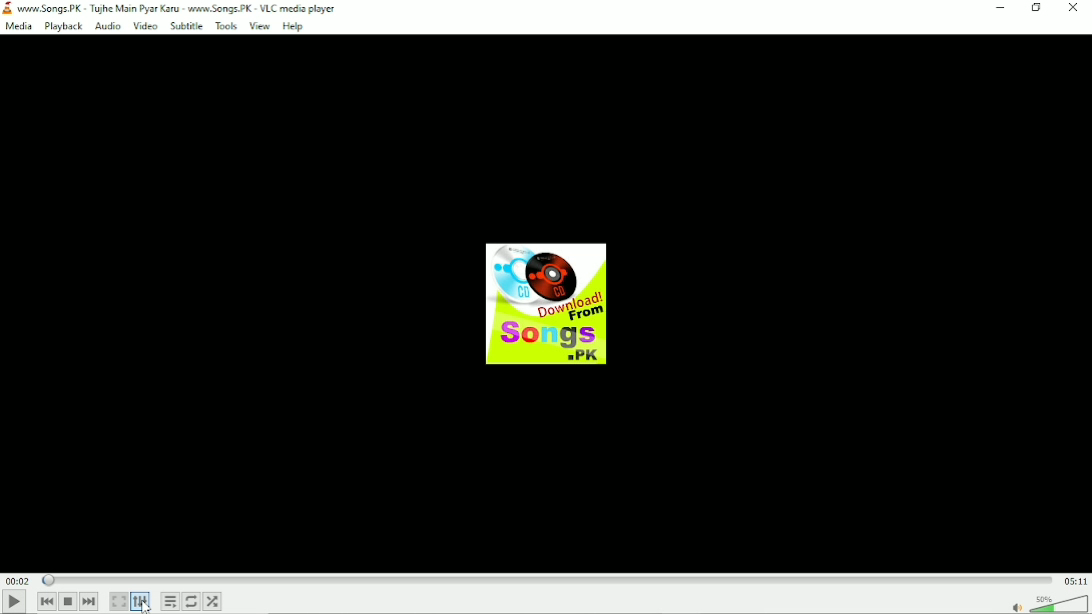 This screenshot has width=1092, height=614. I want to click on Toggle playlist, so click(170, 601).